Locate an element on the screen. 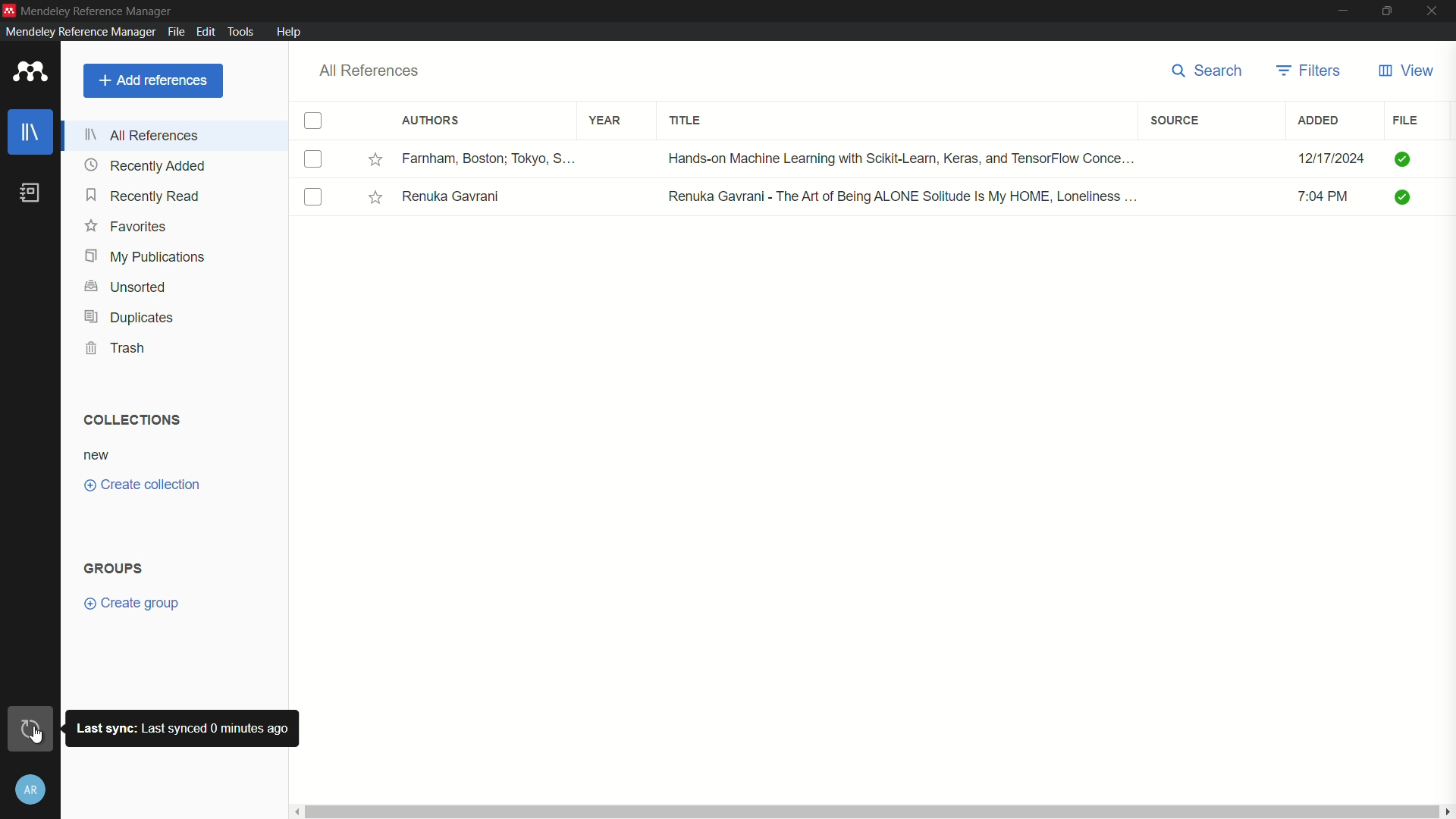 This screenshot has height=819, width=1456. create collection is located at coordinates (143, 484).